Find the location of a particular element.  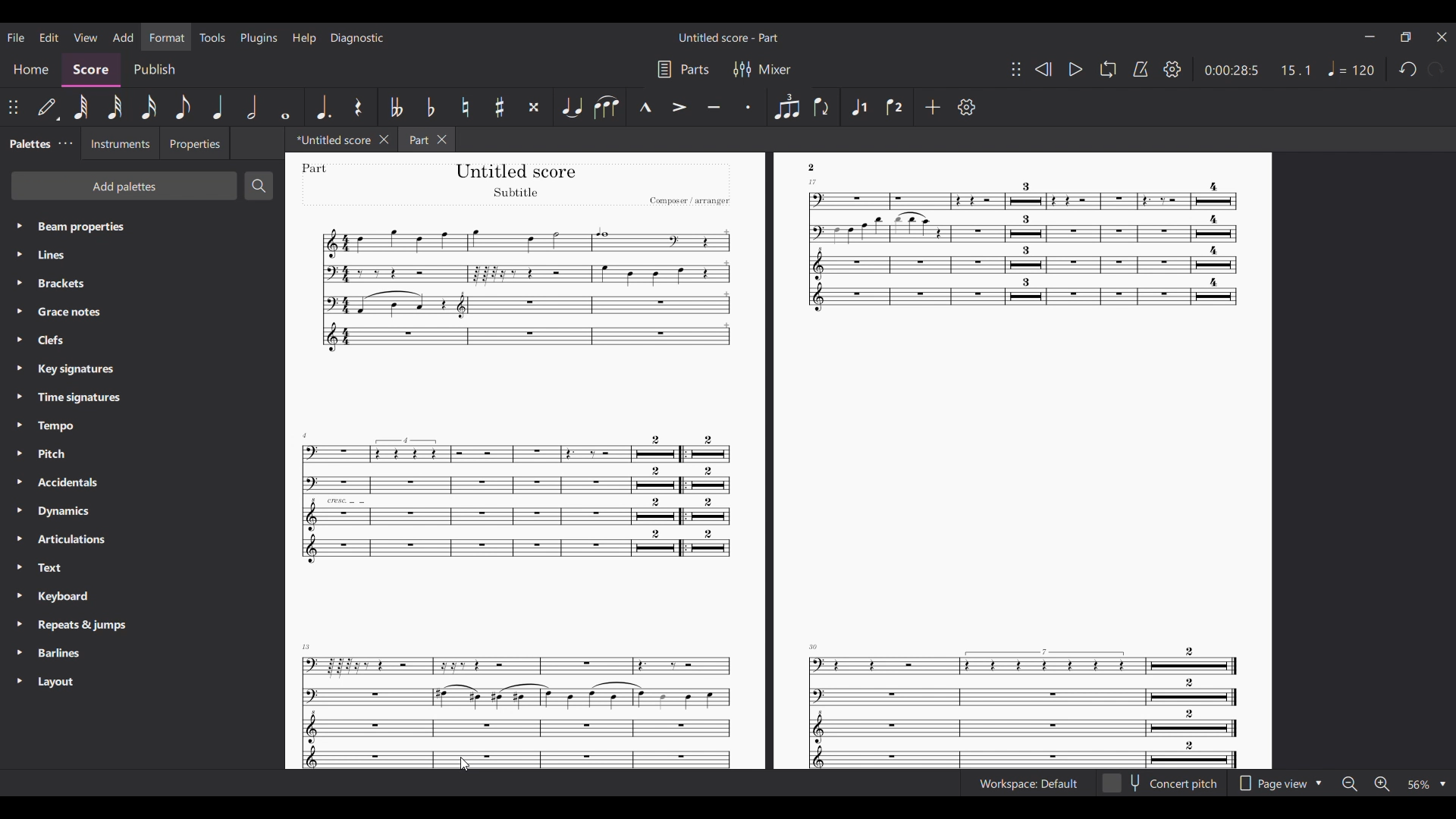

Settings is located at coordinates (966, 107).